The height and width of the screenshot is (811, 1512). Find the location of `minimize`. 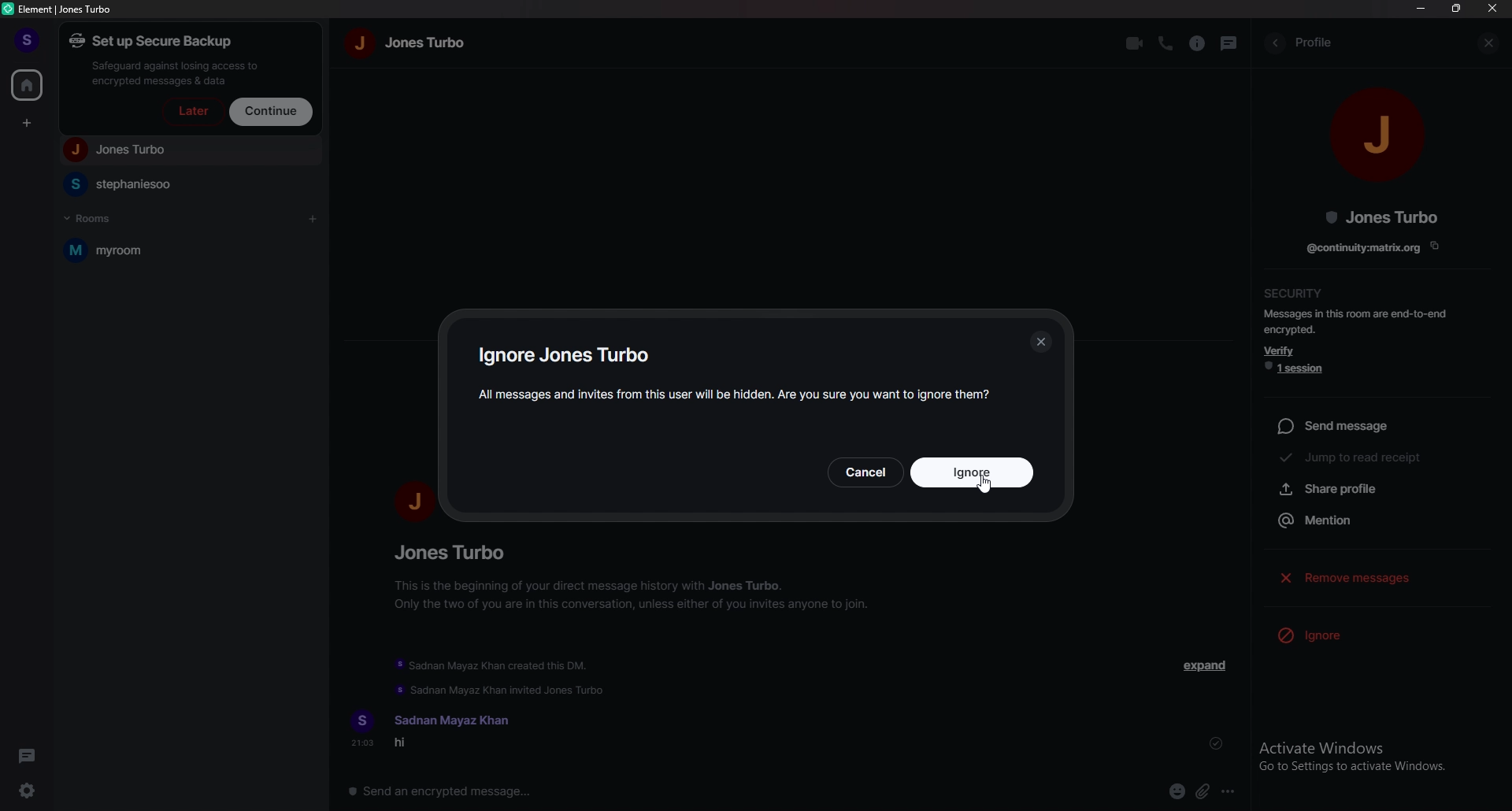

minimize is located at coordinates (1422, 8).